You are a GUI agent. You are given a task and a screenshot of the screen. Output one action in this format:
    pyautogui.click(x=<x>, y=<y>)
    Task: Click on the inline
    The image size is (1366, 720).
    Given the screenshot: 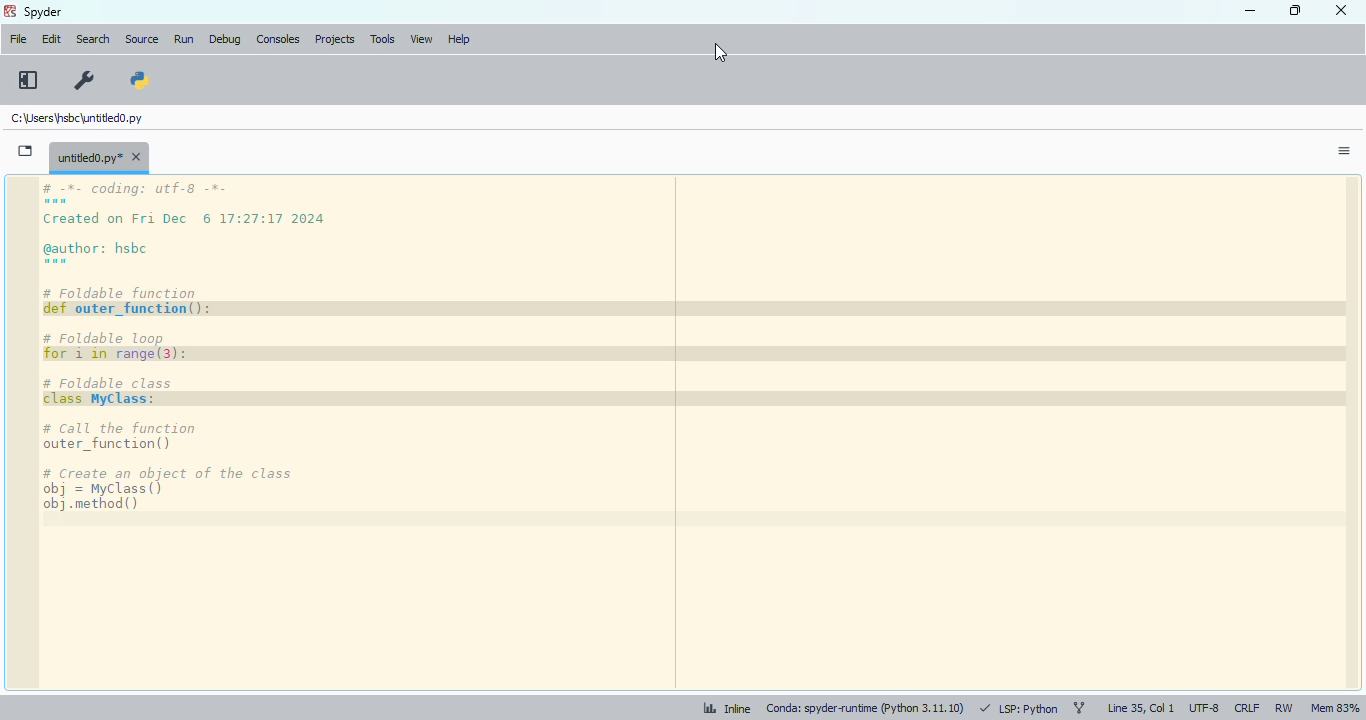 What is the action you would take?
    pyautogui.click(x=725, y=706)
    